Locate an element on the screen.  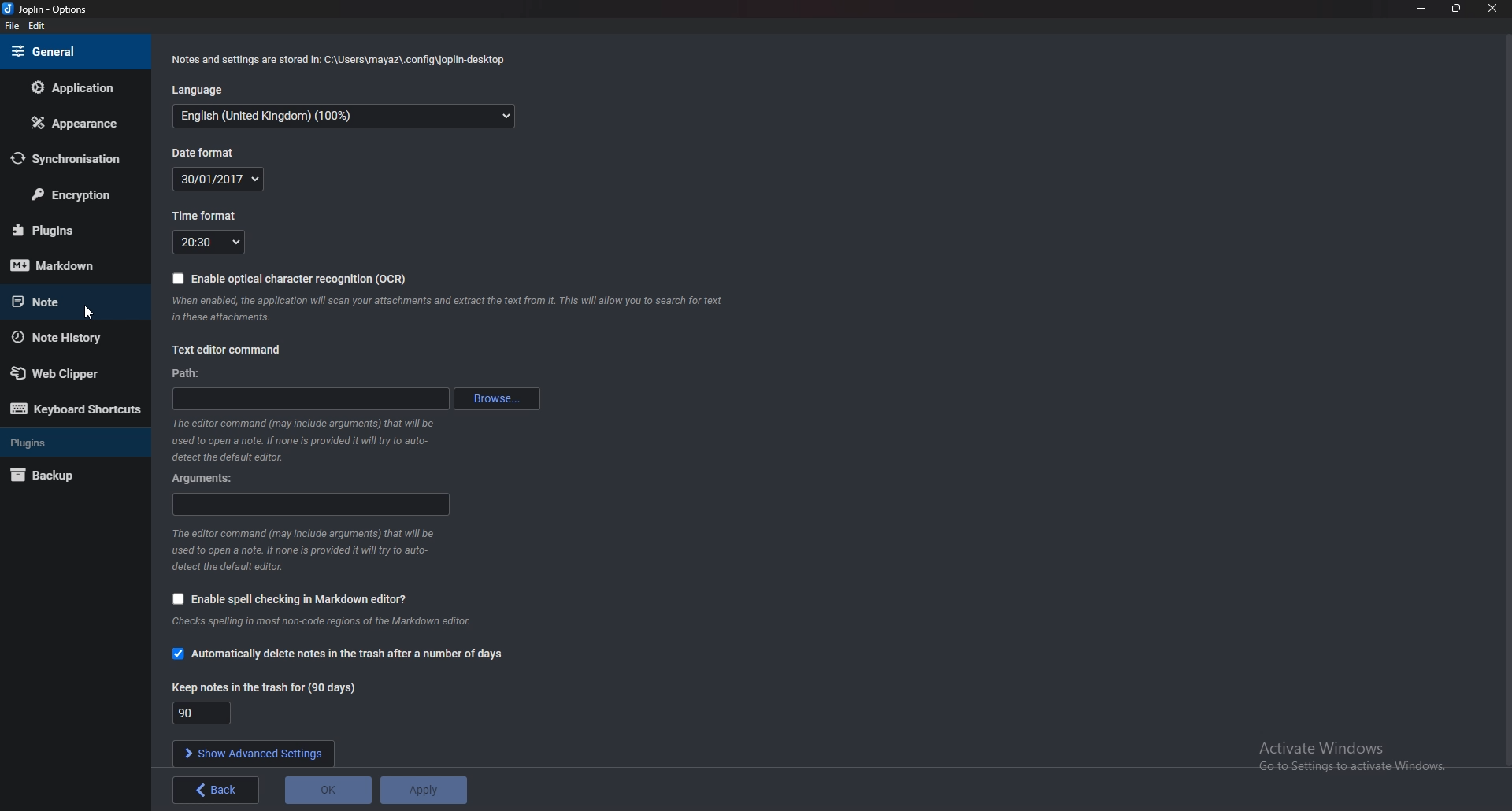
Back is located at coordinates (216, 789).